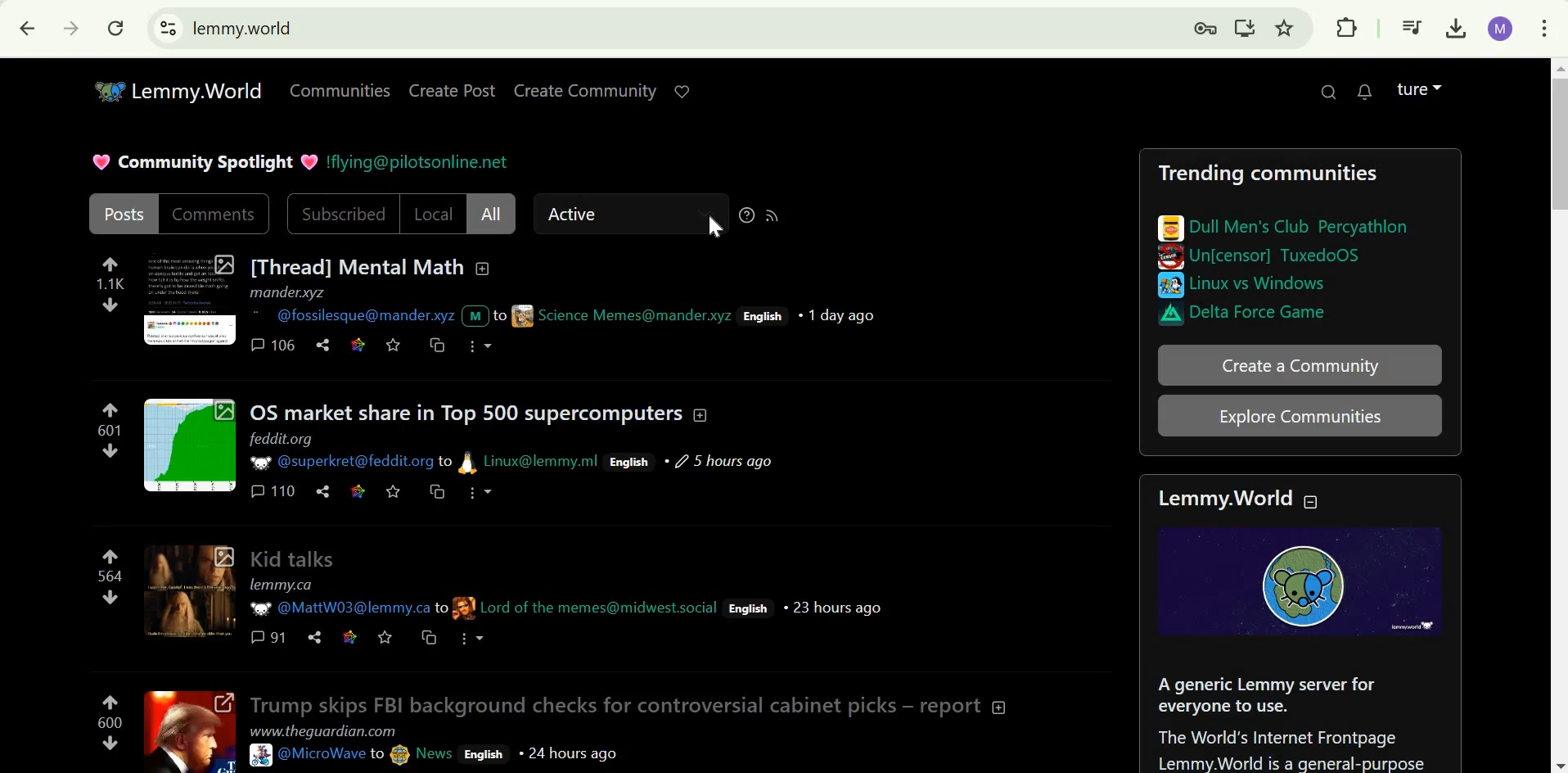 The height and width of the screenshot is (773, 1568). What do you see at coordinates (168, 27) in the screenshot?
I see `View site information` at bounding box center [168, 27].